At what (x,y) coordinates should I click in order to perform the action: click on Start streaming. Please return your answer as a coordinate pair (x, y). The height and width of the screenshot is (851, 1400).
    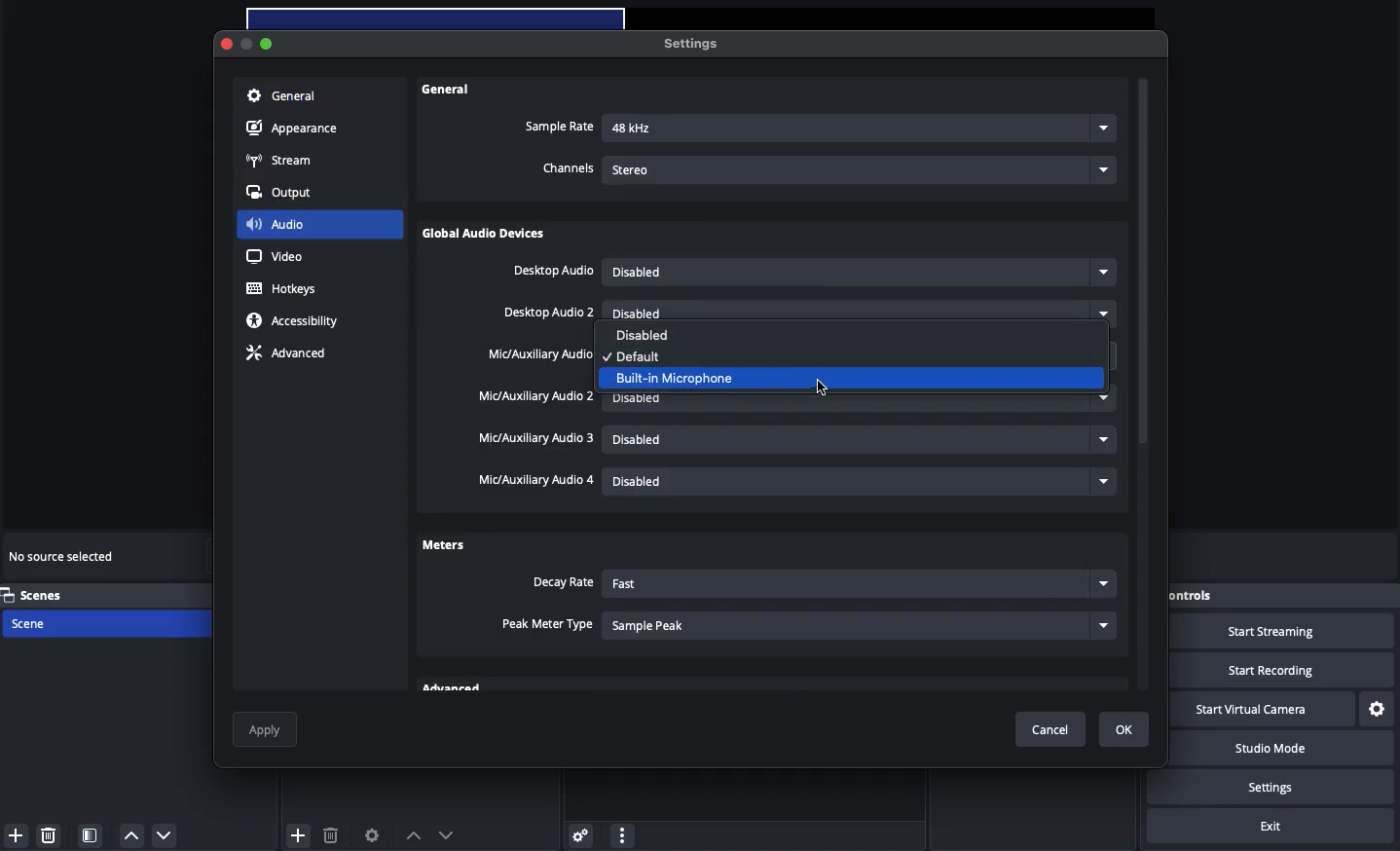
    Looking at the image, I should click on (1287, 632).